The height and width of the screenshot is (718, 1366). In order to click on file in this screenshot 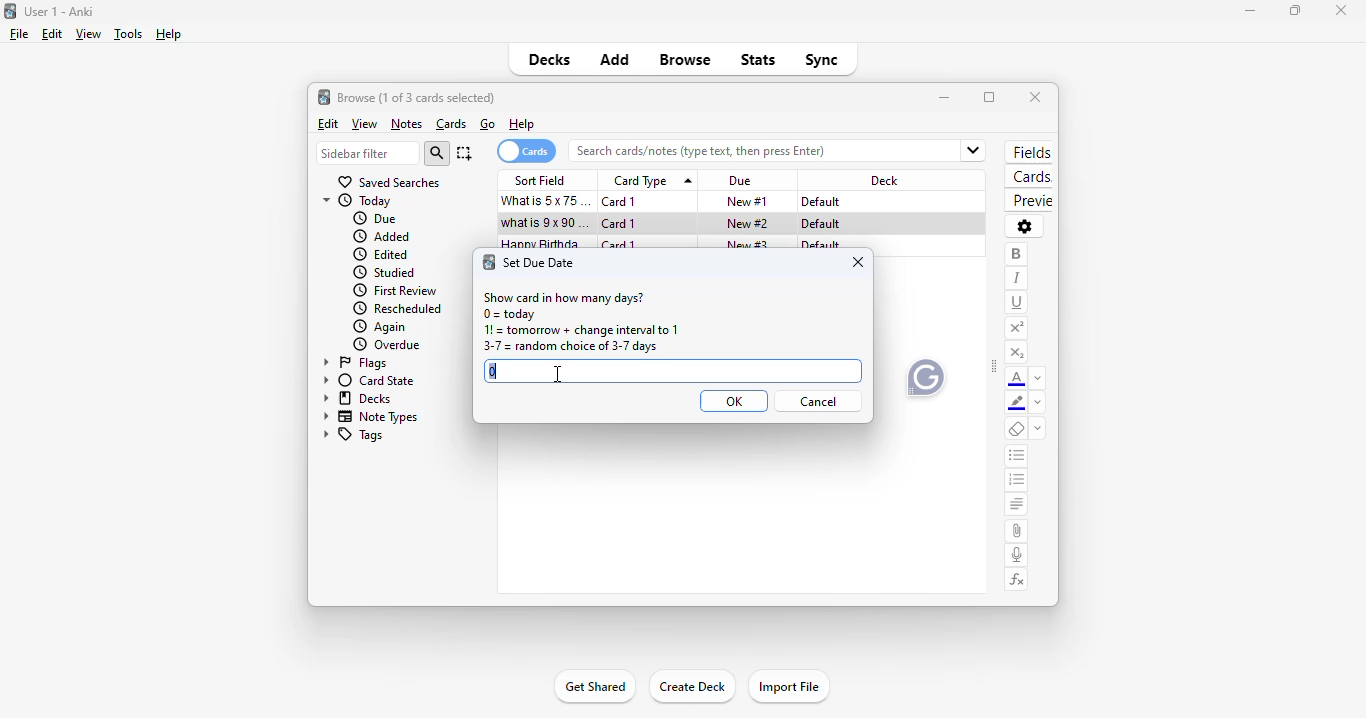, I will do `click(19, 34)`.